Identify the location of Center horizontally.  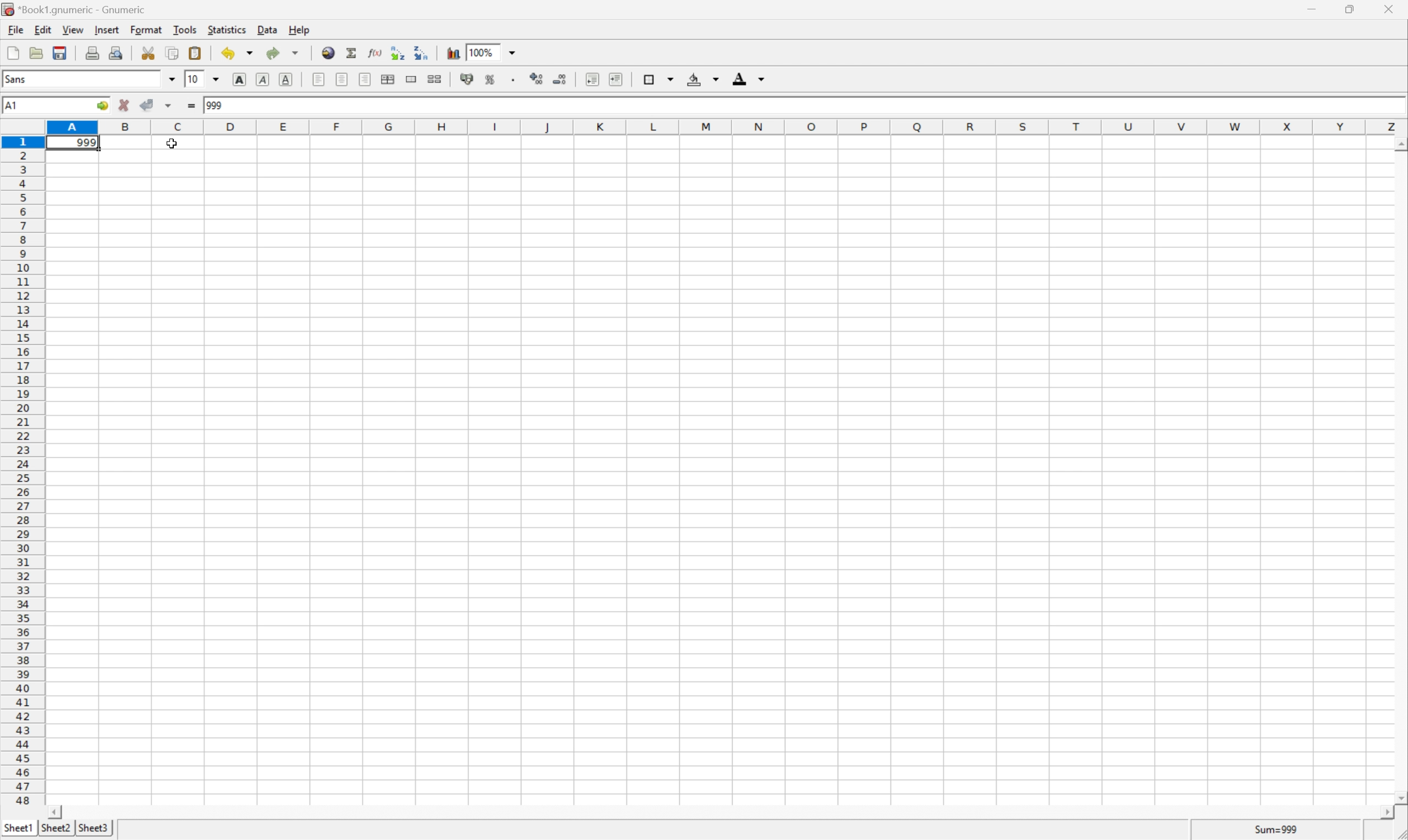
(341, 79).